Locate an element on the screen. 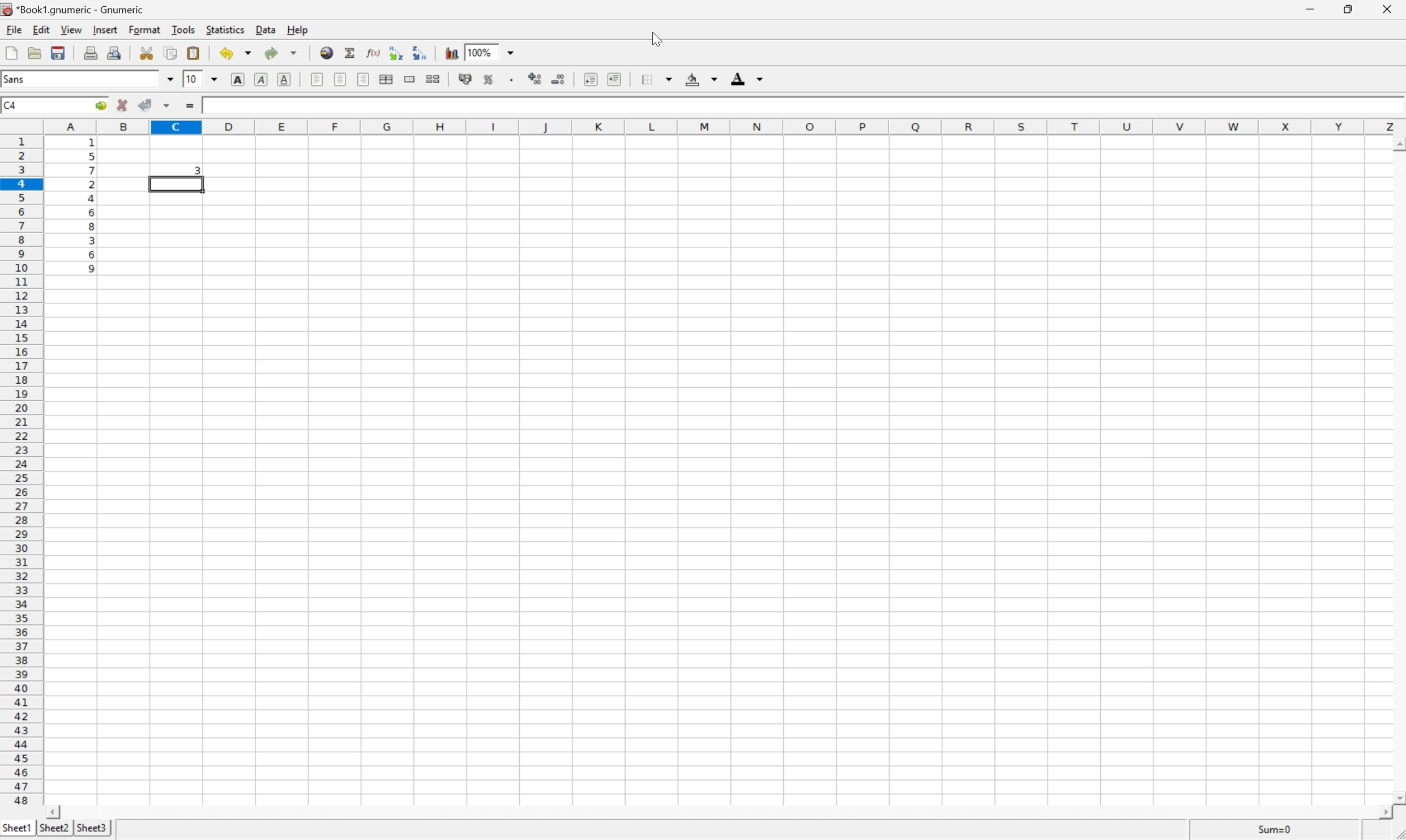  open file is located at coordinates (35, 54).